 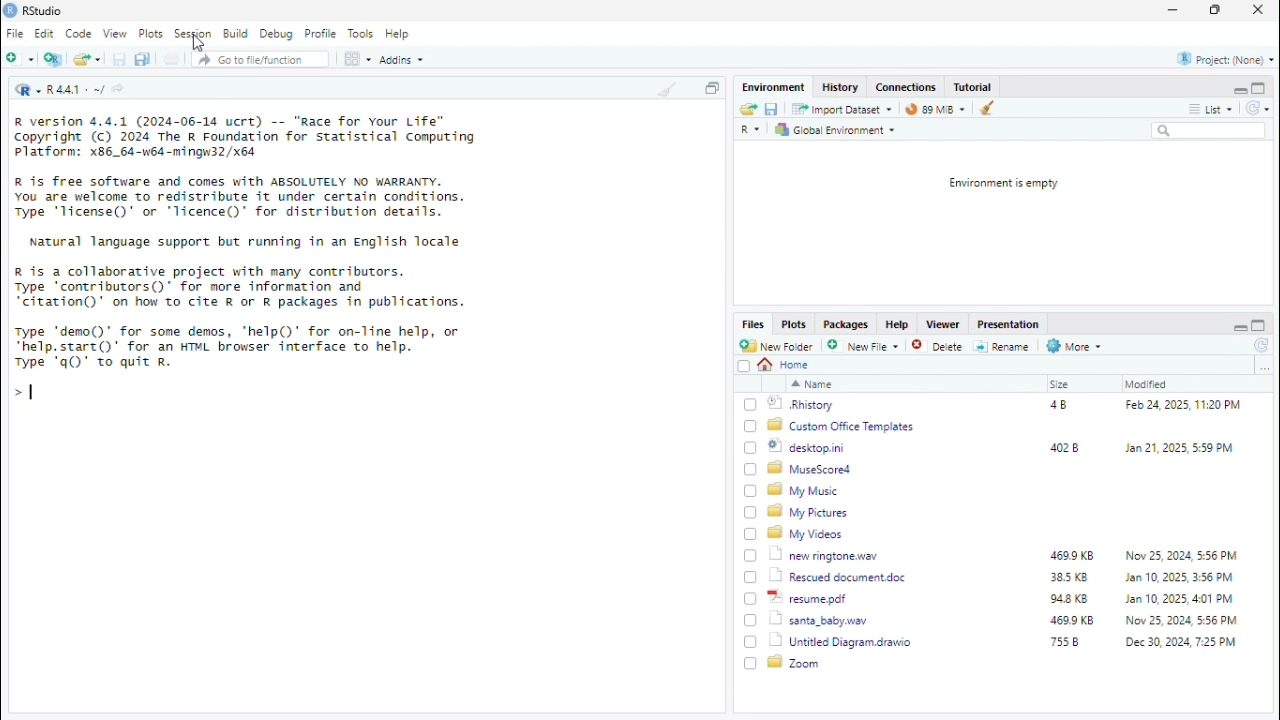 What do you see at coordinates (194, 33) in the screenshot?
I see `Session` at bounding box center [194, 33].